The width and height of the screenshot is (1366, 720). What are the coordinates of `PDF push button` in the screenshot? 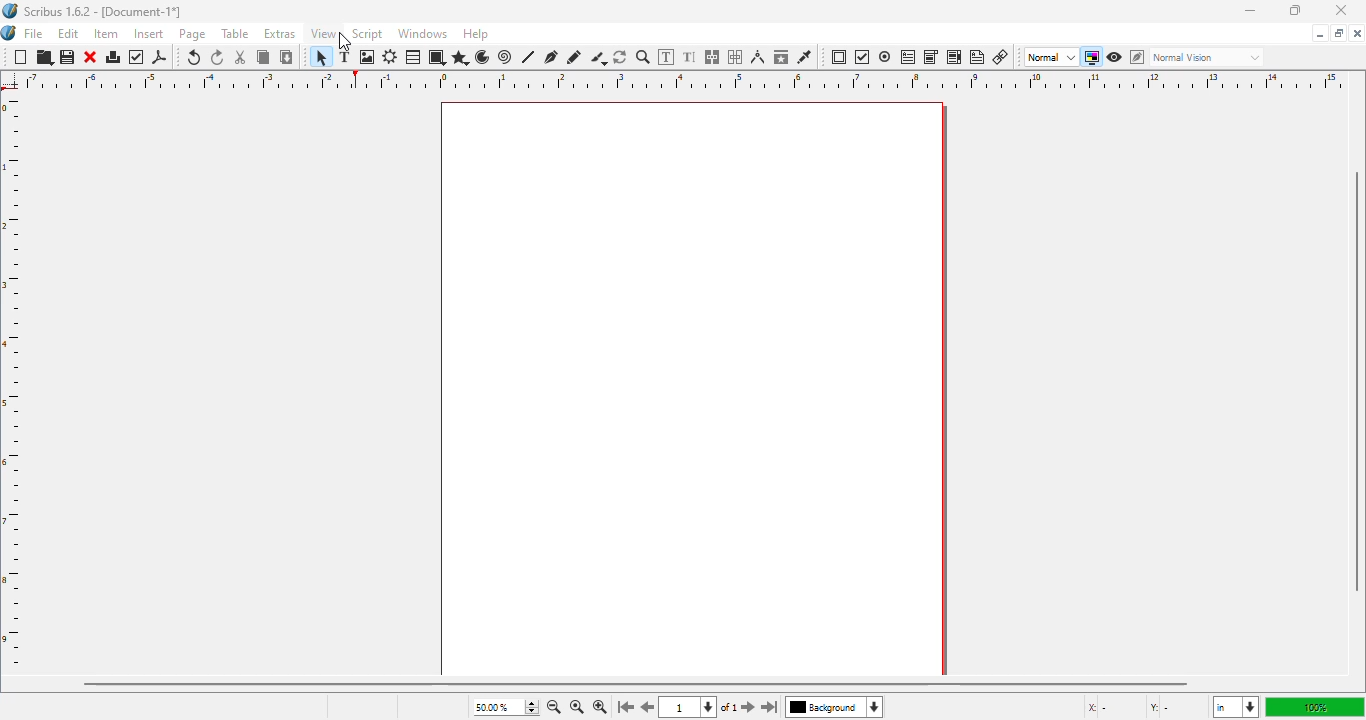 It's located at (839, 57).